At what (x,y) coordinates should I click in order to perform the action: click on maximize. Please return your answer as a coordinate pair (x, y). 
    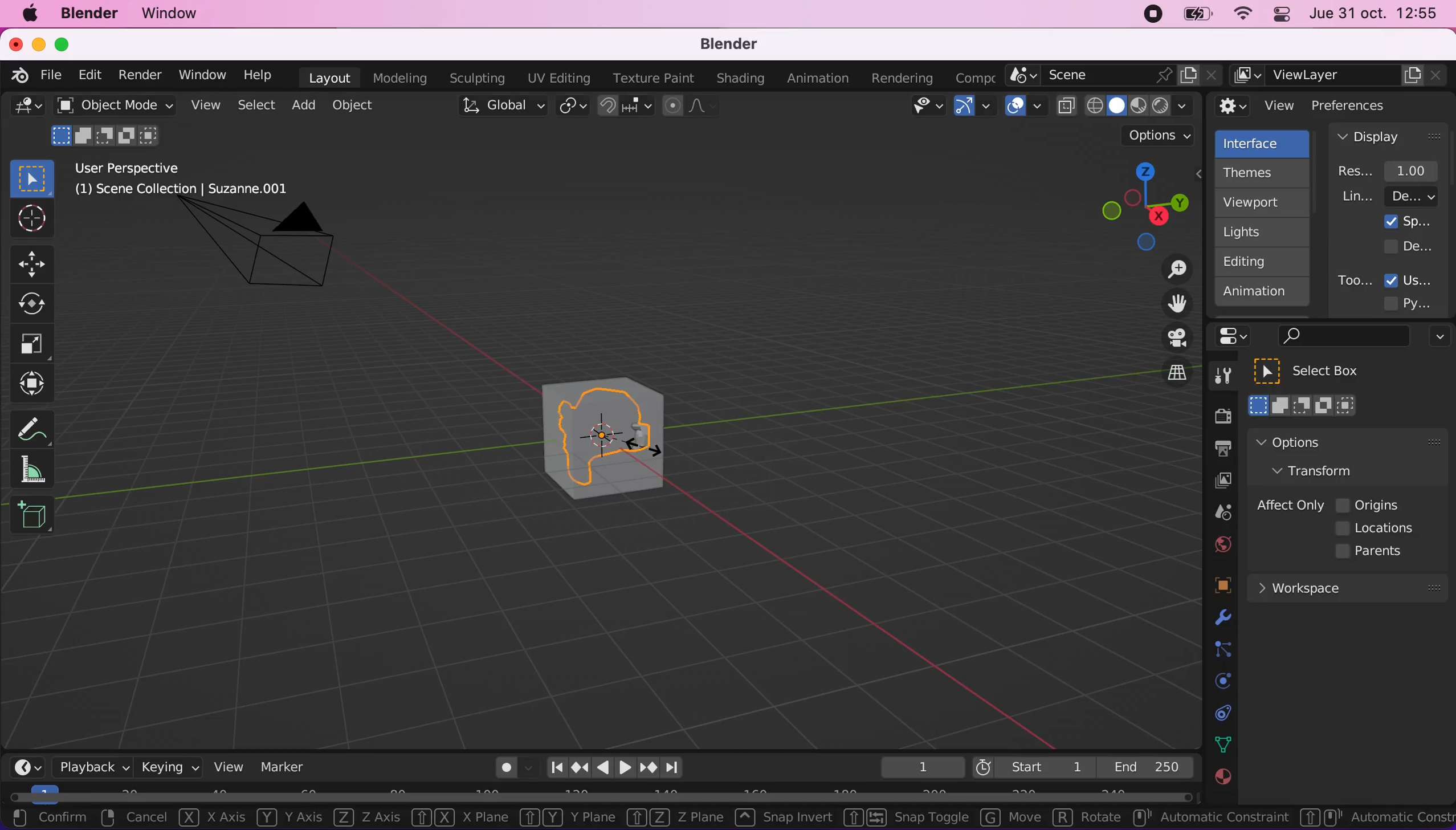
    Looking at the image, I should click on (68, 44).